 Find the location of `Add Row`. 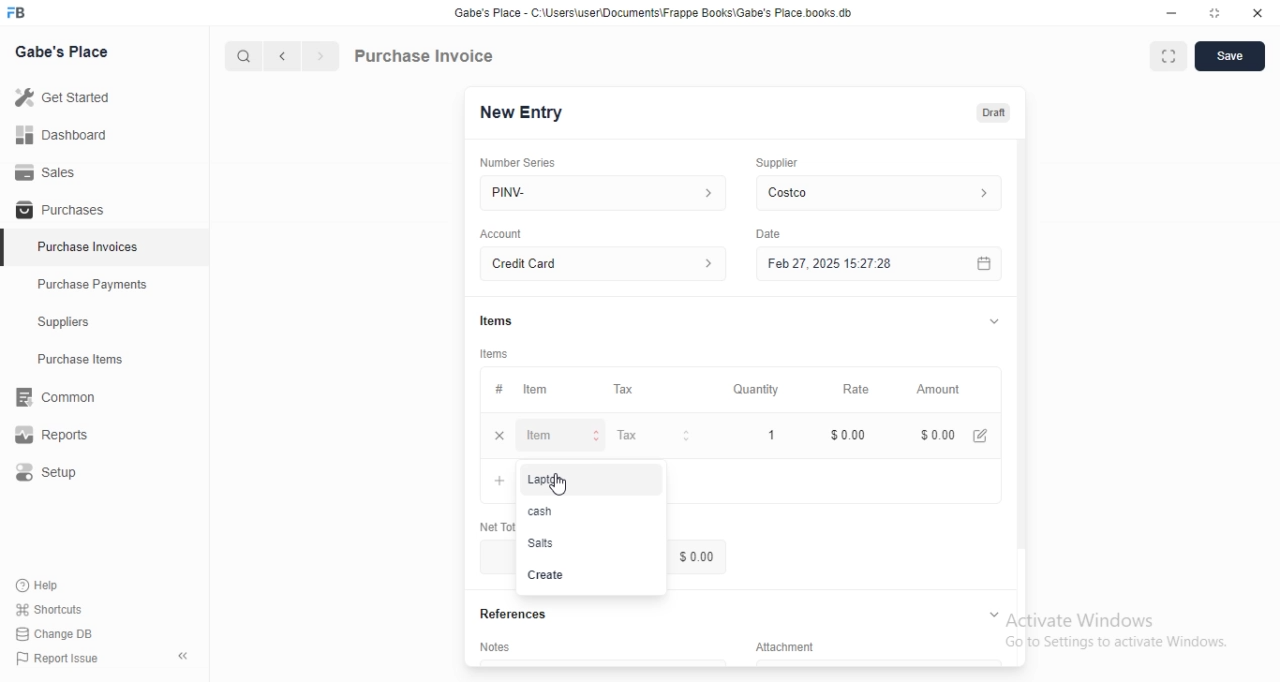

Add Row is located at coordinates (498, 481).